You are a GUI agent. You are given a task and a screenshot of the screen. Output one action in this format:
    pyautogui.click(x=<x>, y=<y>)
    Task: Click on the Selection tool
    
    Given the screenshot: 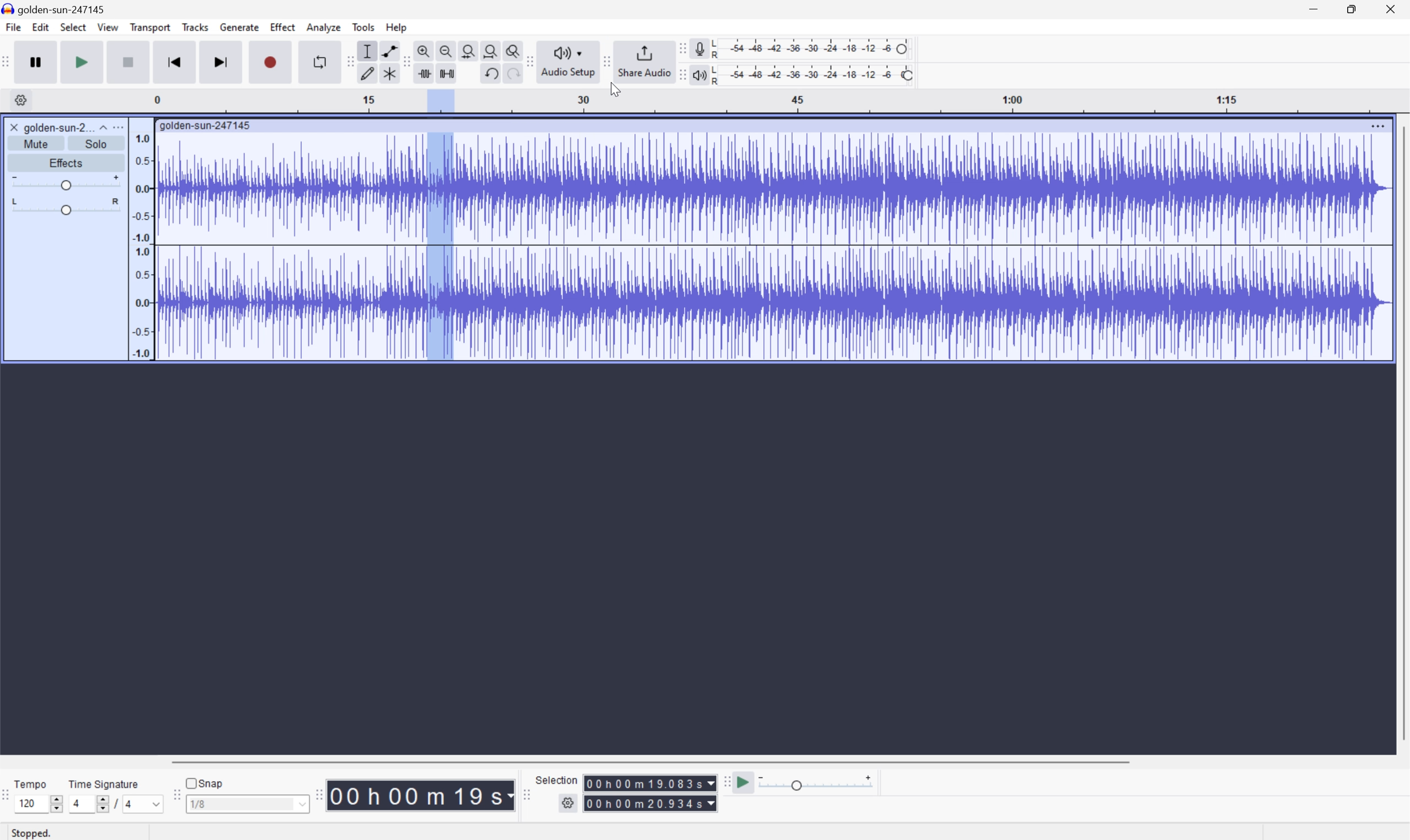 What is the action you would take?
    pyautogui.click(x=366, y=51)
    